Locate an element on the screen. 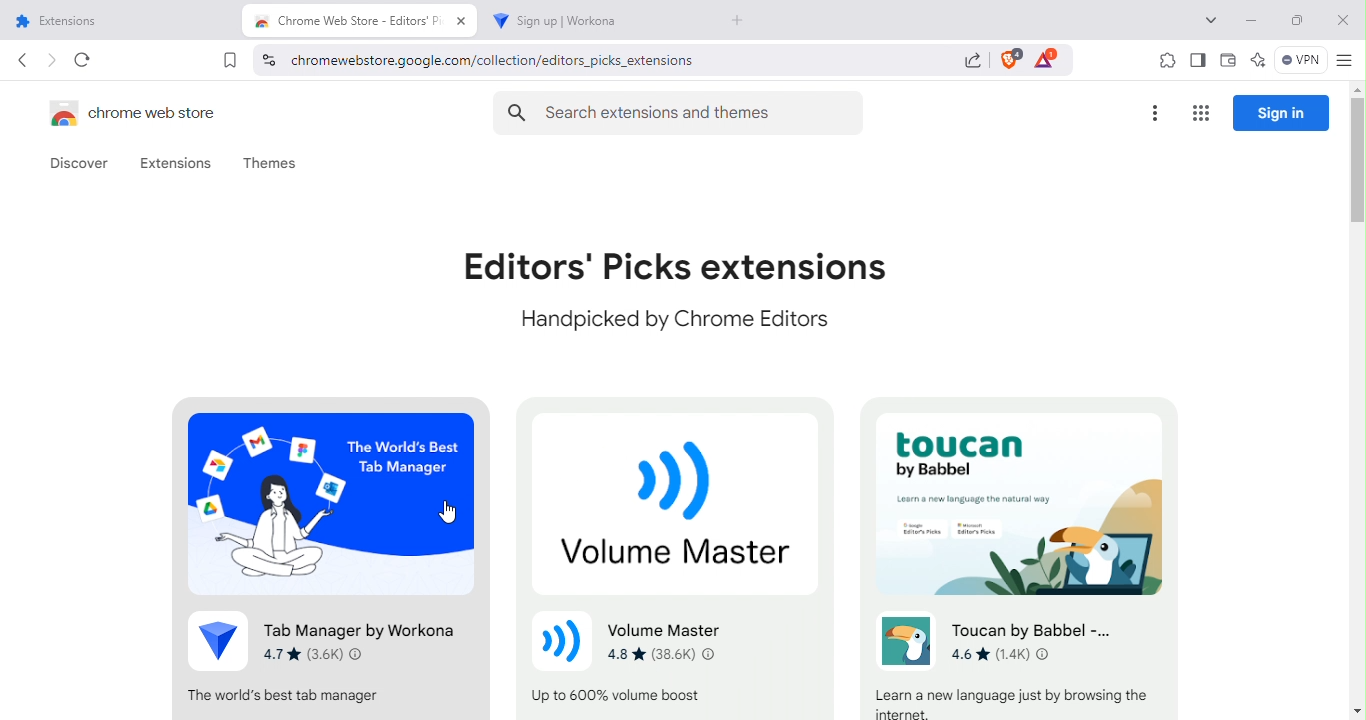 Image resolution: width=1366 pixels, height=720 pixels. Brave AI bot is located at coordinates (1258, 62).